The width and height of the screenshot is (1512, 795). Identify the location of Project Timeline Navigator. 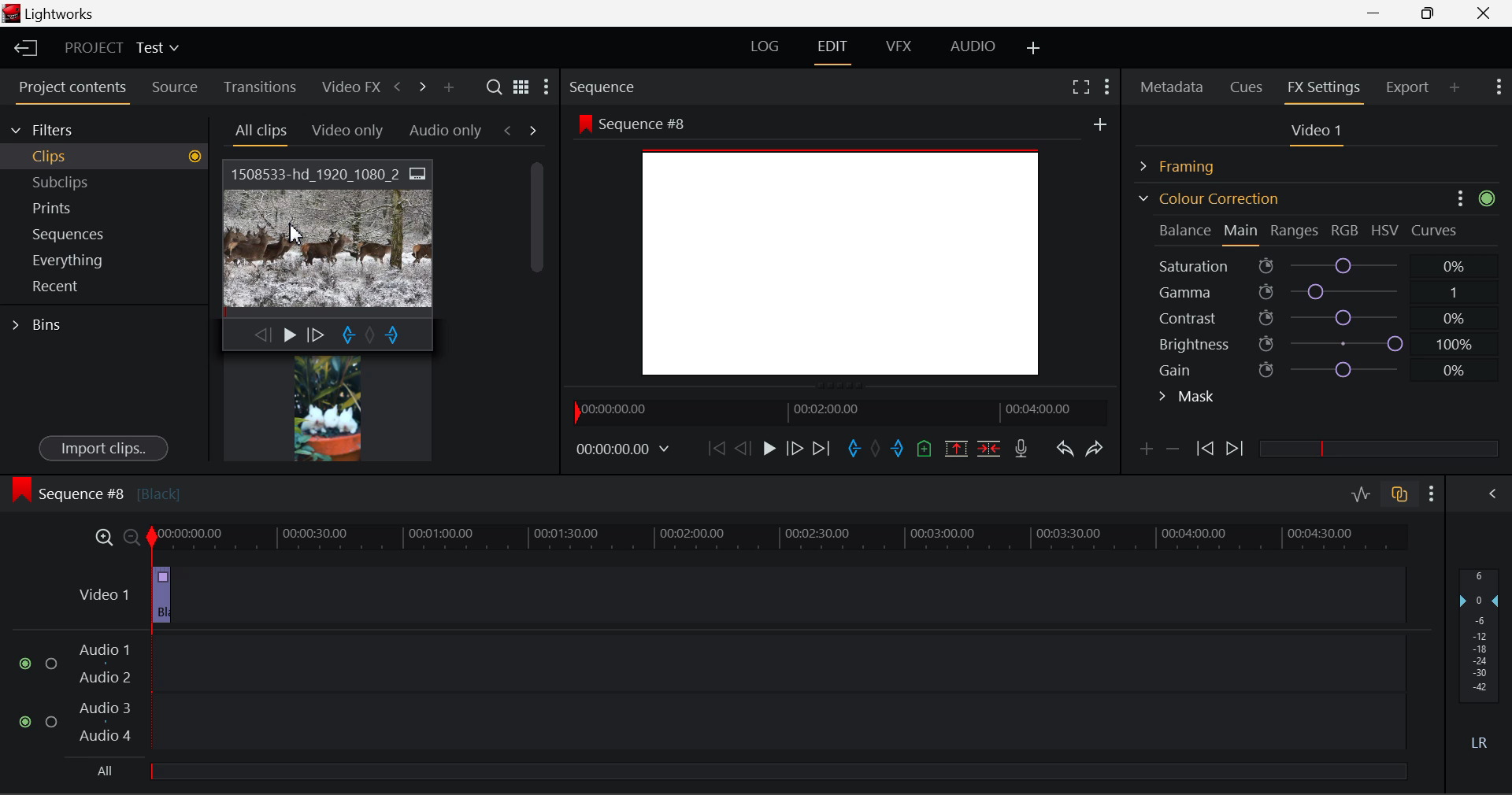
(838, 412).